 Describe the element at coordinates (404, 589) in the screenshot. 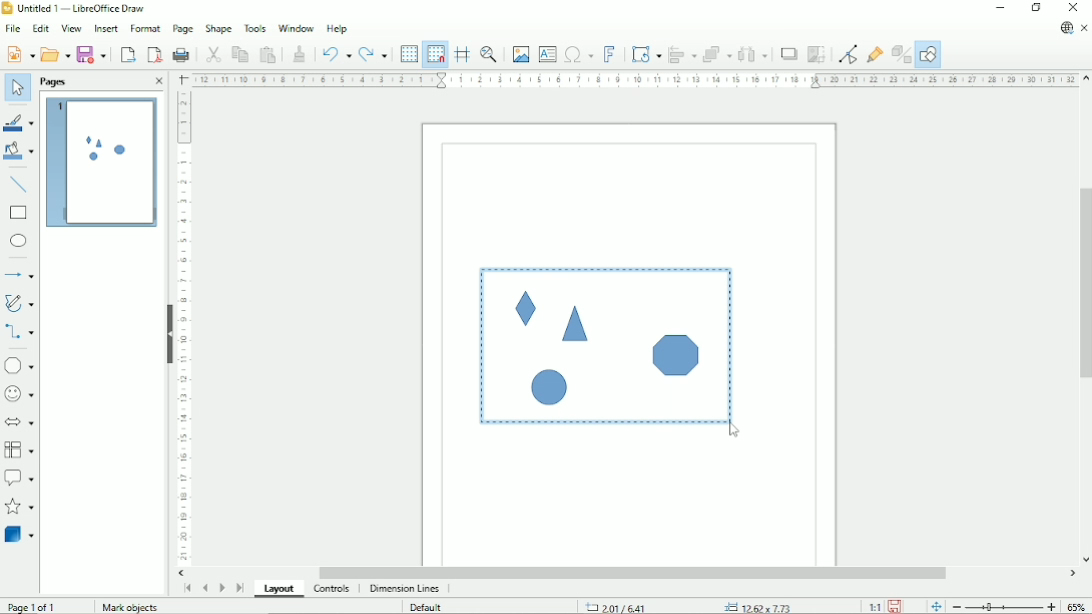

I see `dimension lines` at that location.